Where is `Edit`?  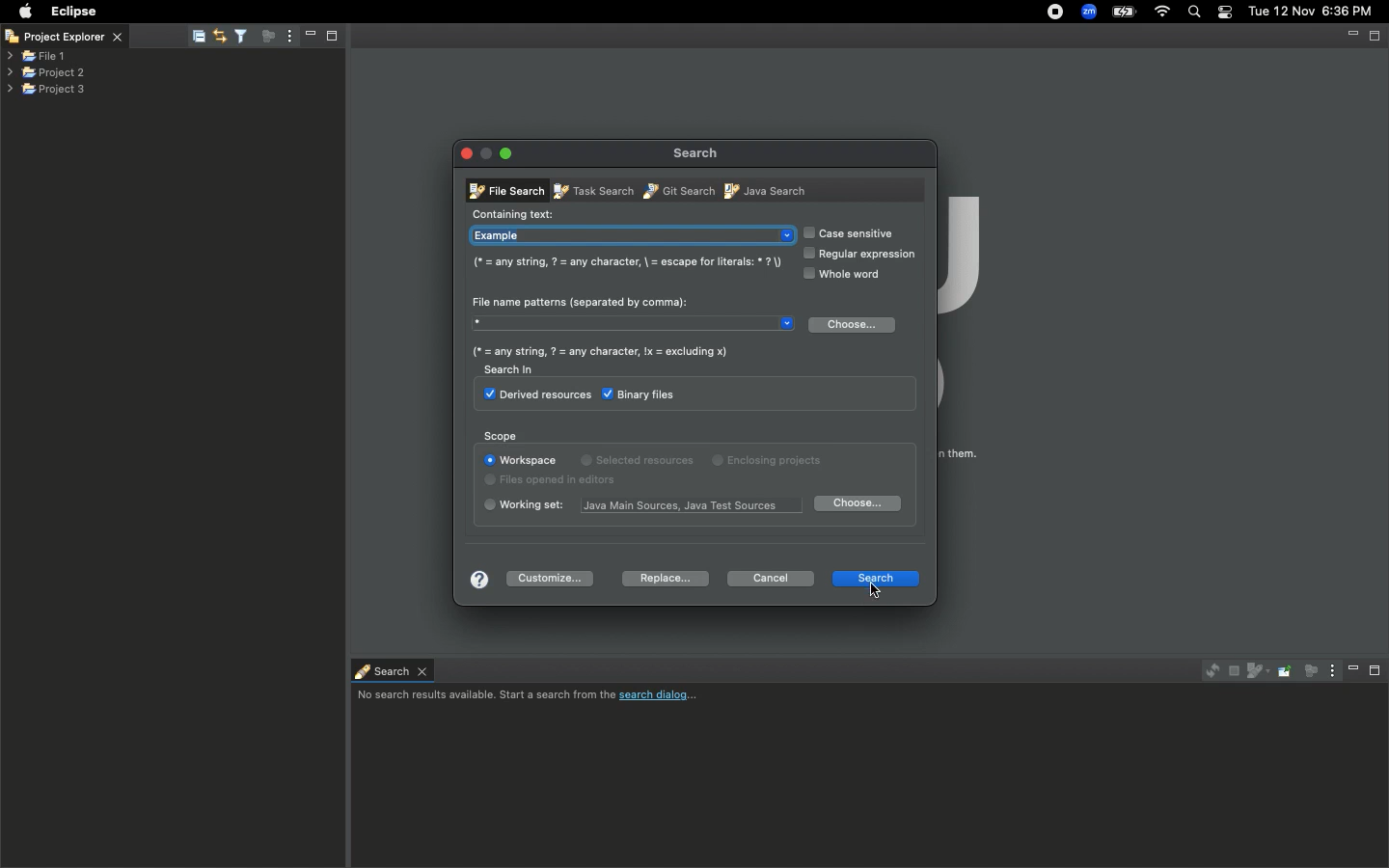
Edit is located at coordinates (168, 12).